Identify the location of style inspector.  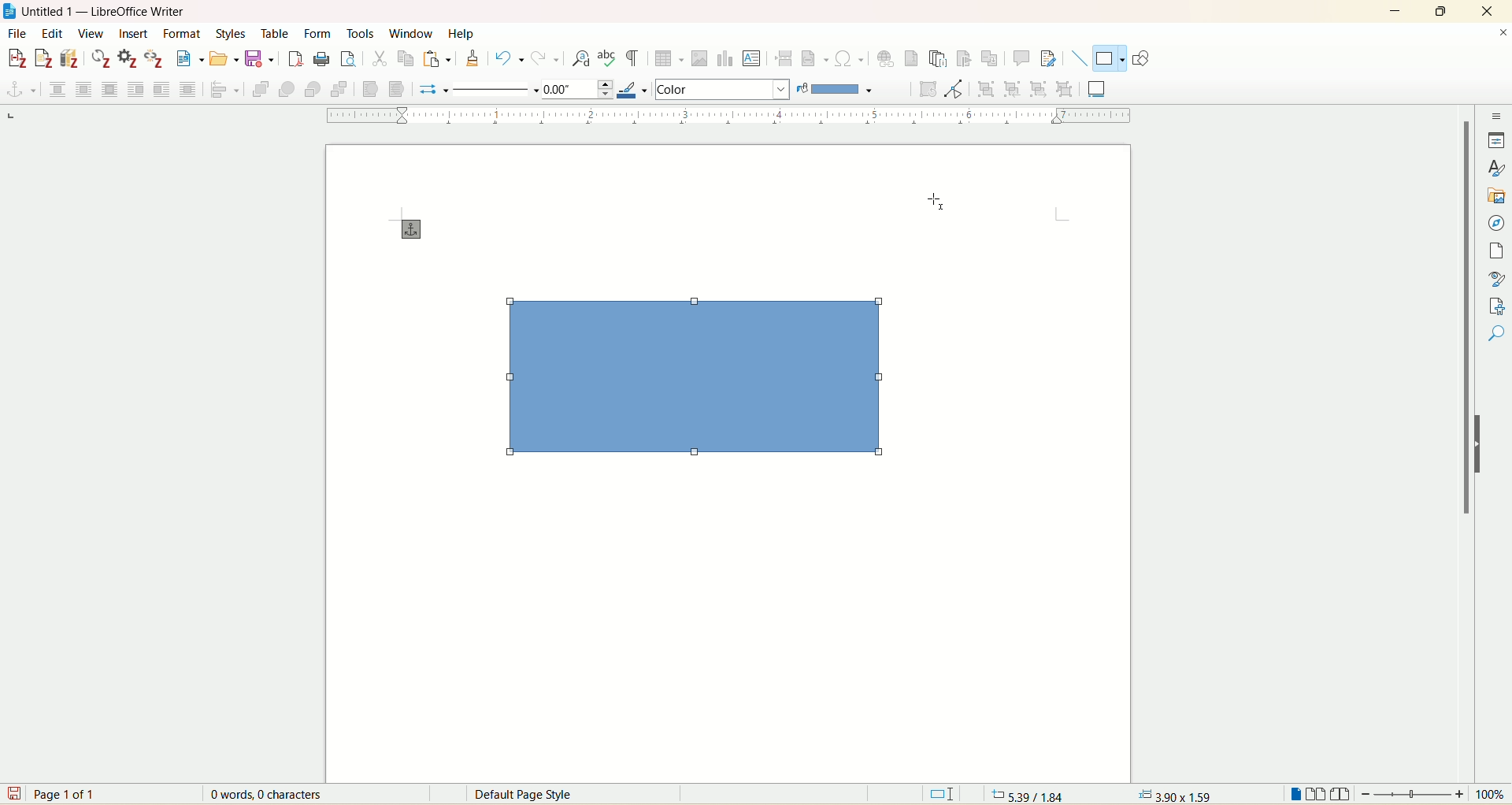
(1497, 276).